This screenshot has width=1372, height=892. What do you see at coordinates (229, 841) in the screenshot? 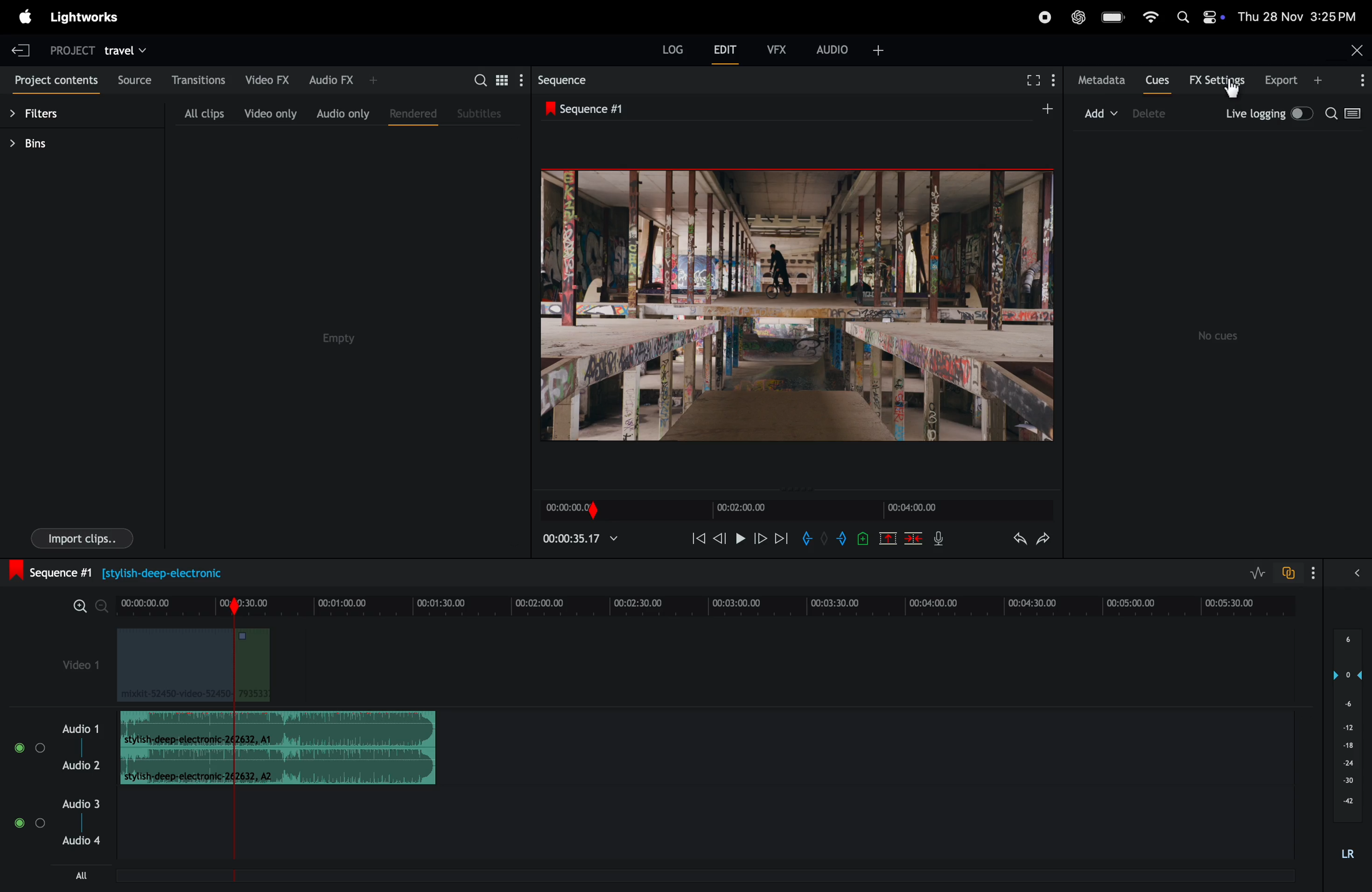
I see `playback marker` at bounding box center [229, 841].